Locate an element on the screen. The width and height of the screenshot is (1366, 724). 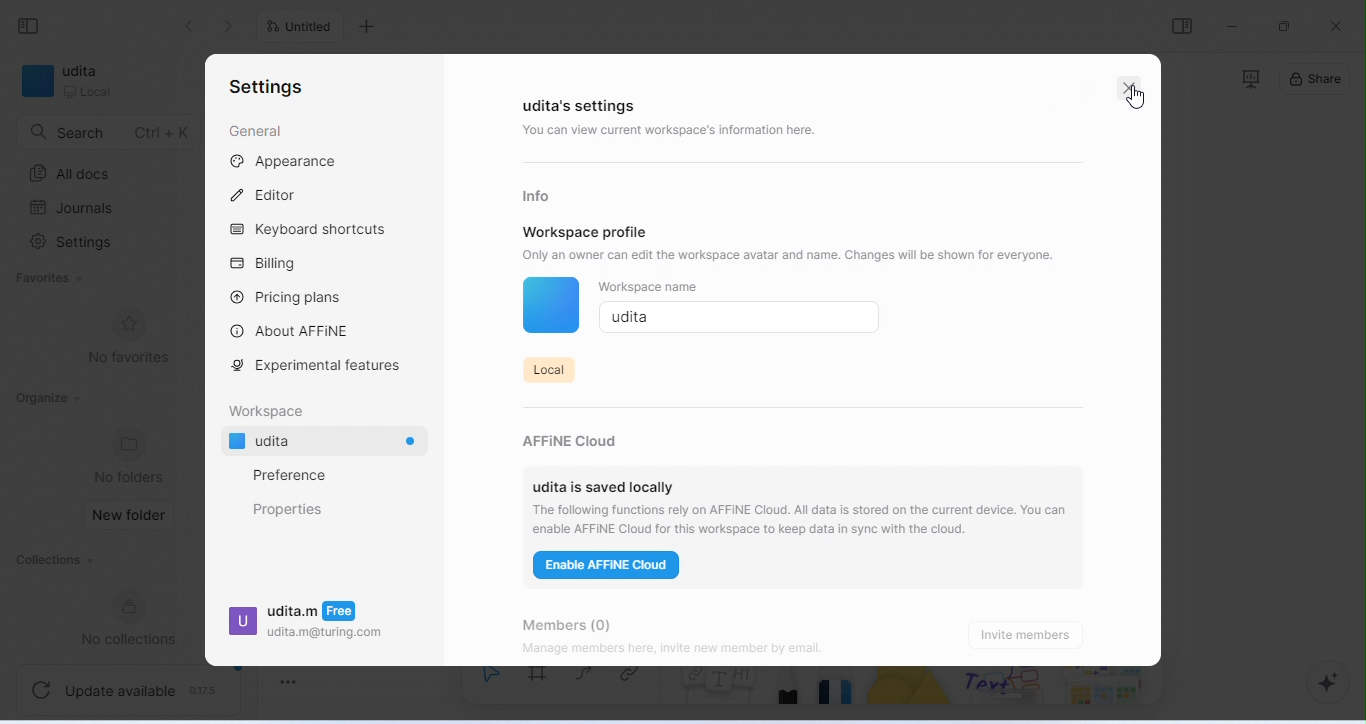
frame is located at coordinates (542, 685).